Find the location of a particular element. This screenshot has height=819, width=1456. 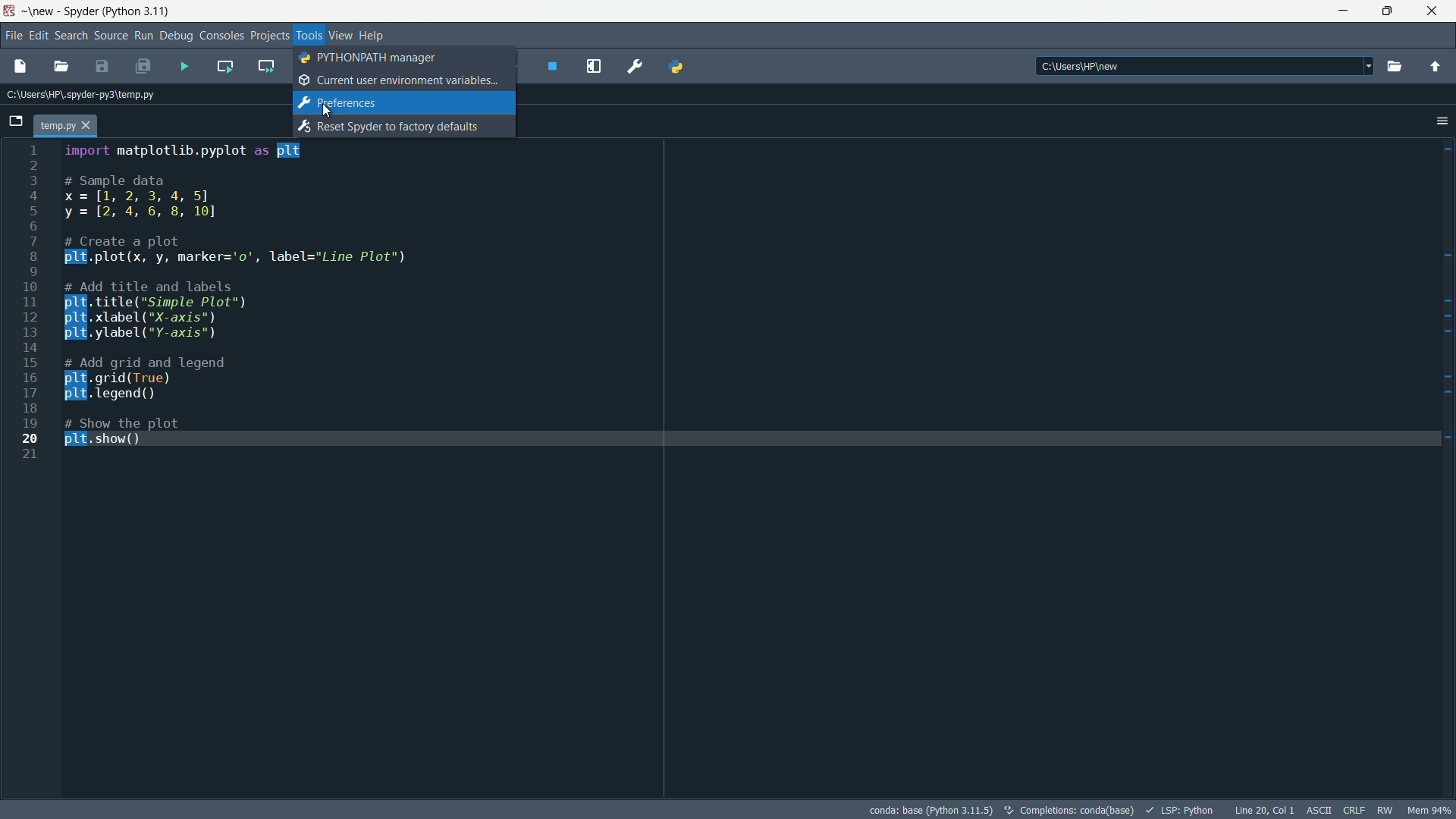

LSP:Python is located at coordinates (1181, 811).